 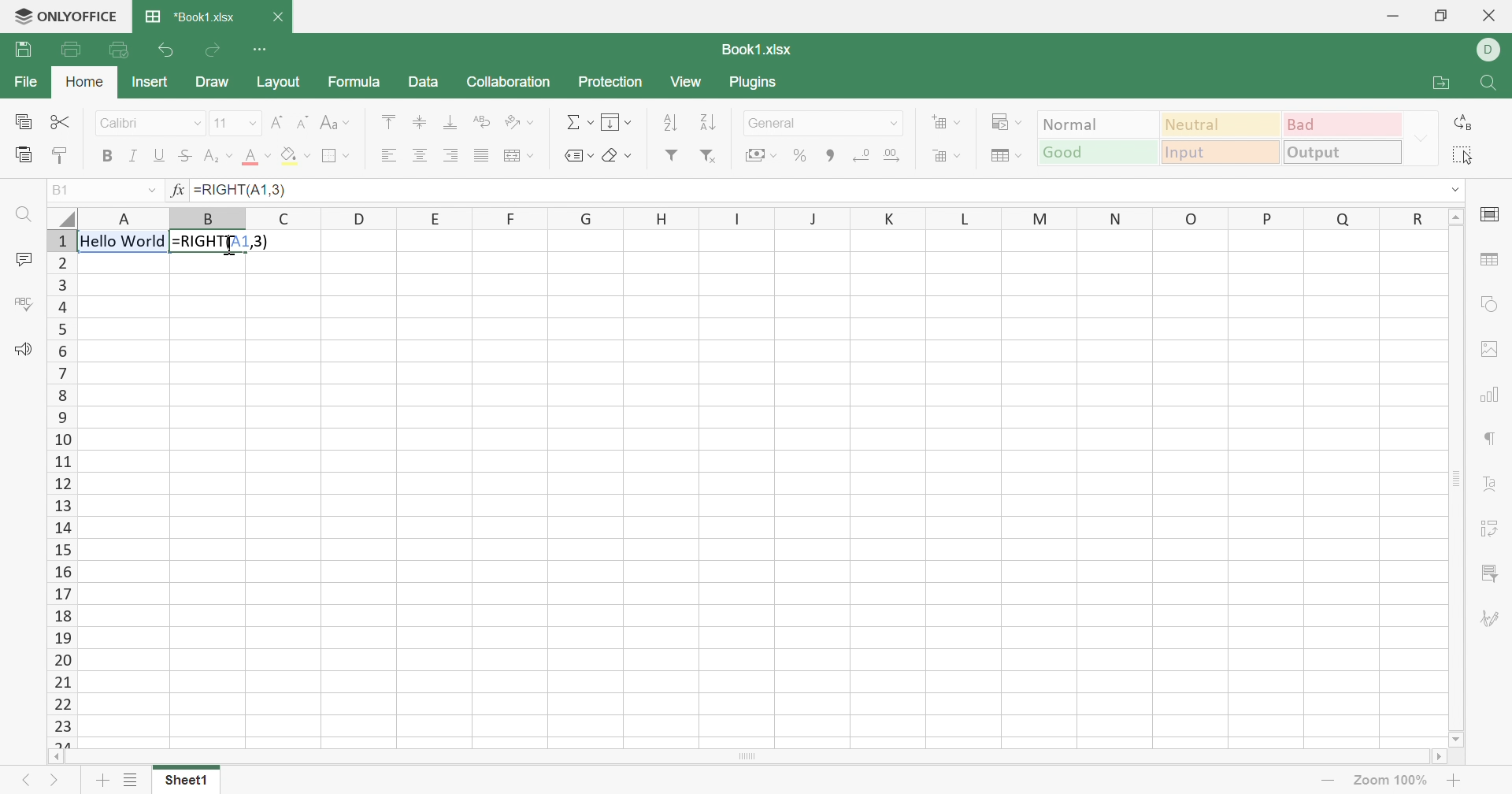 What do you see at coordinates (28, 784) in the screenshot?
I see `Previous` at bounding box center [28, 784].